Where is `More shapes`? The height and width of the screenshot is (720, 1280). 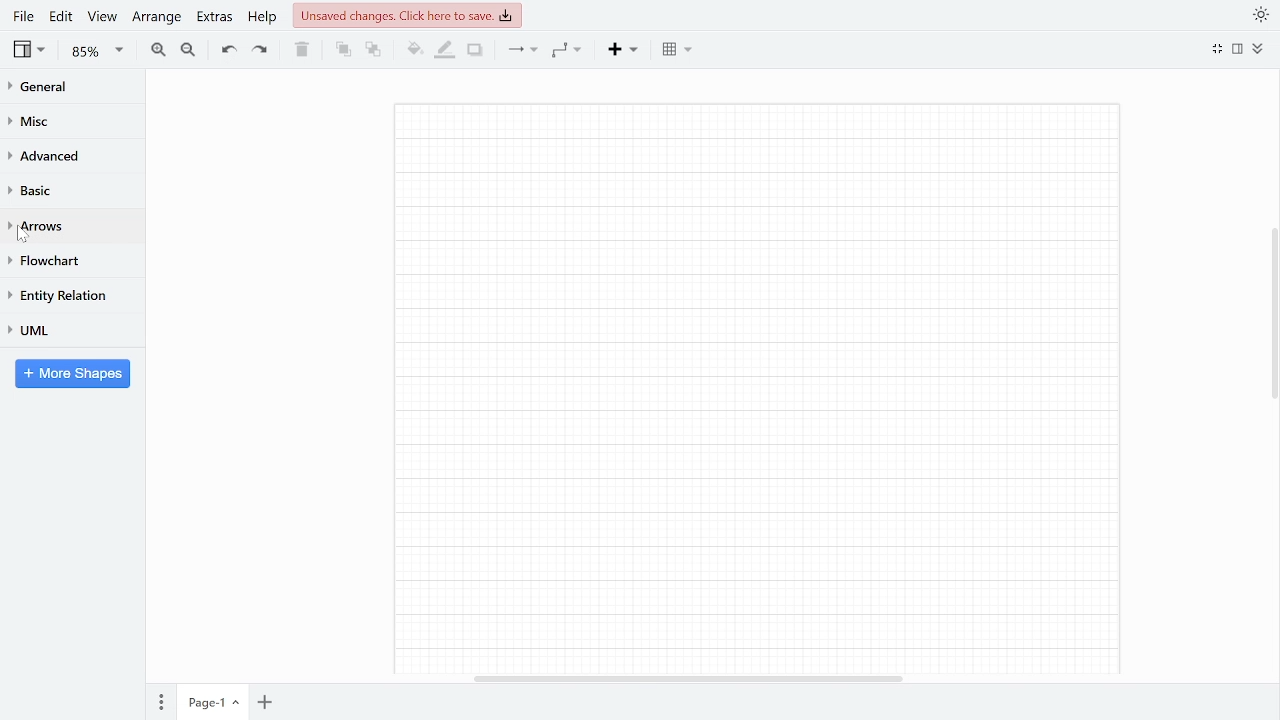 More shapes is located at coordinates (74, 374).